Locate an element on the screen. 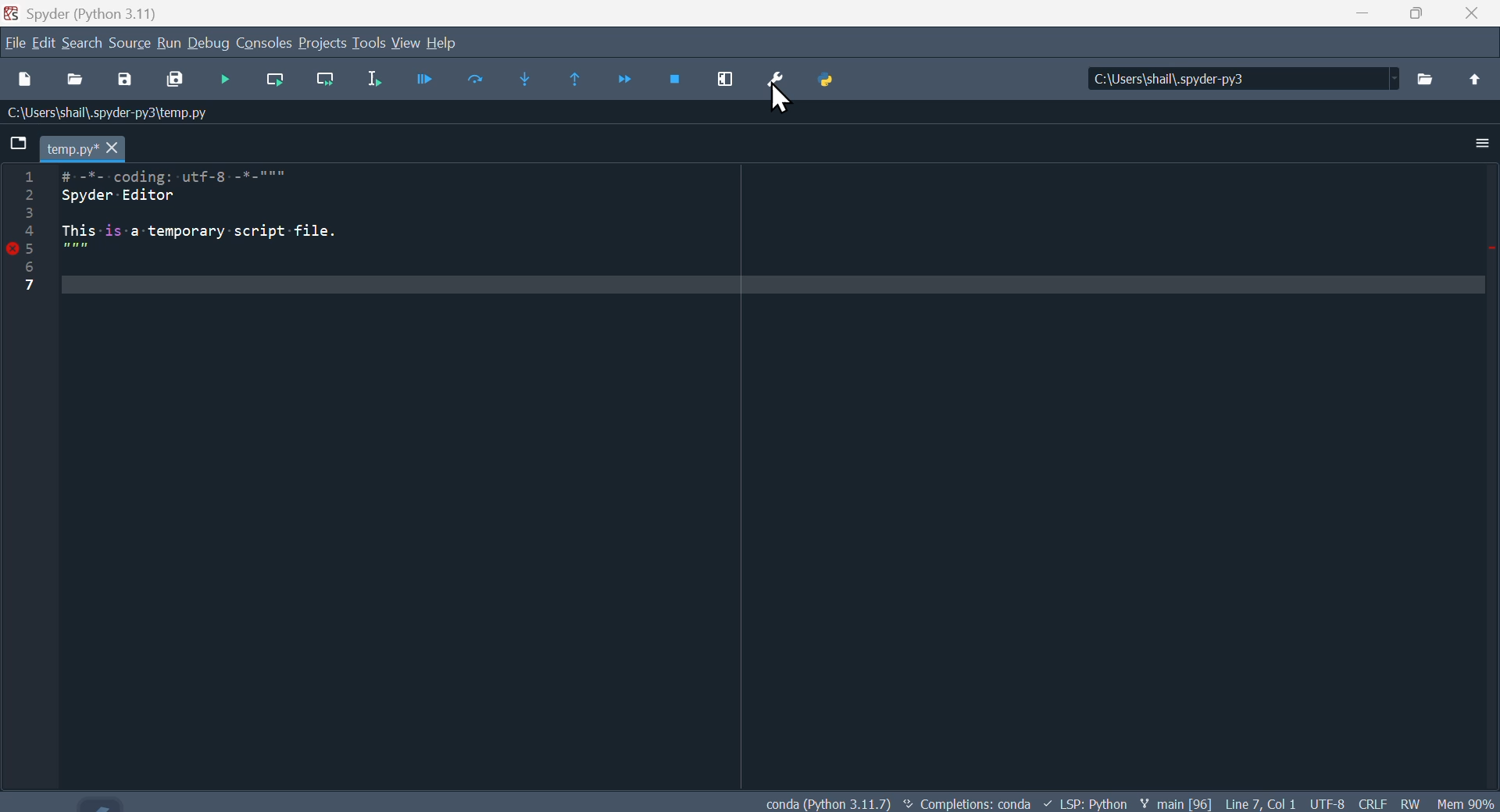 This screenshot has height=812, width=1500.  temp.py* is located at coordinates (85, 147).